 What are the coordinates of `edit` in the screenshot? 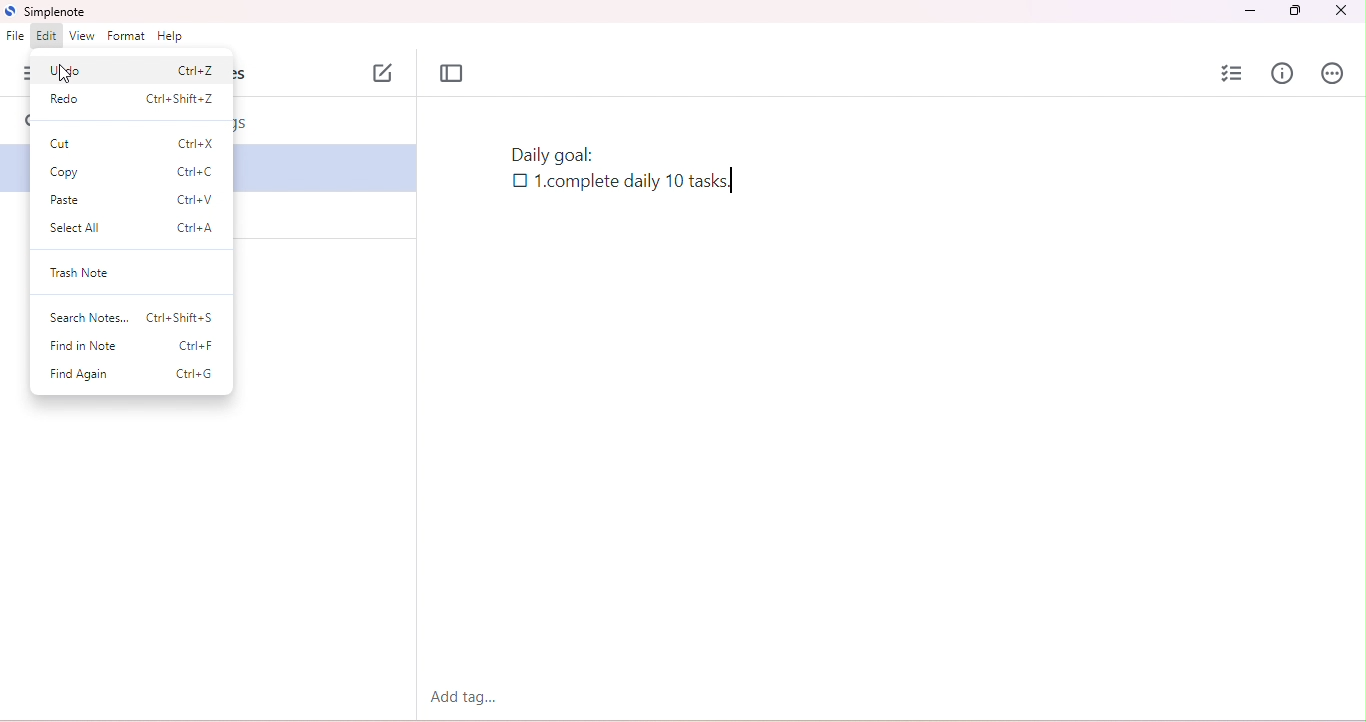 It's located at (48, 36).